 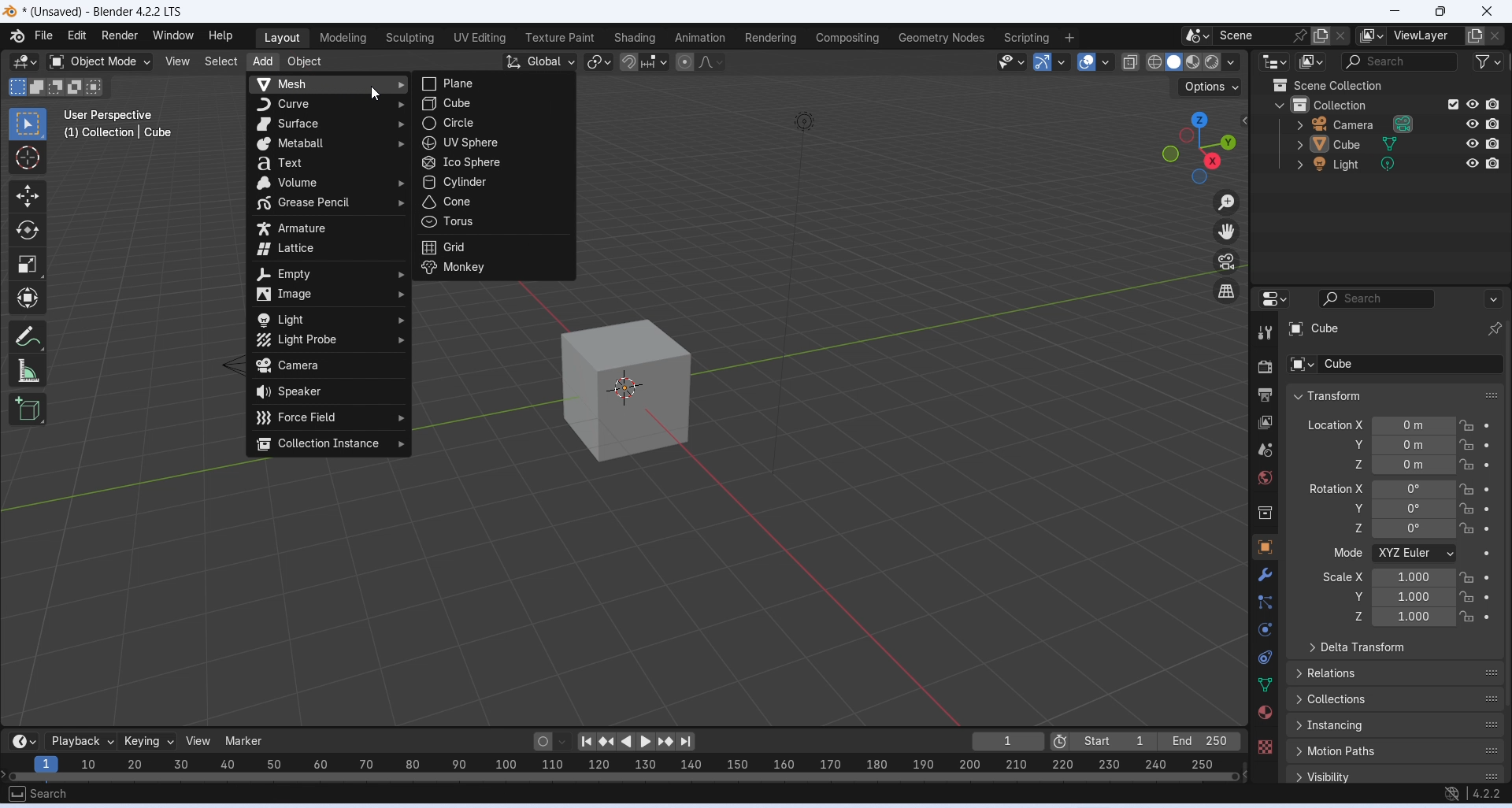 I want to click on hide in viewport, so click(x=1473, y=164).